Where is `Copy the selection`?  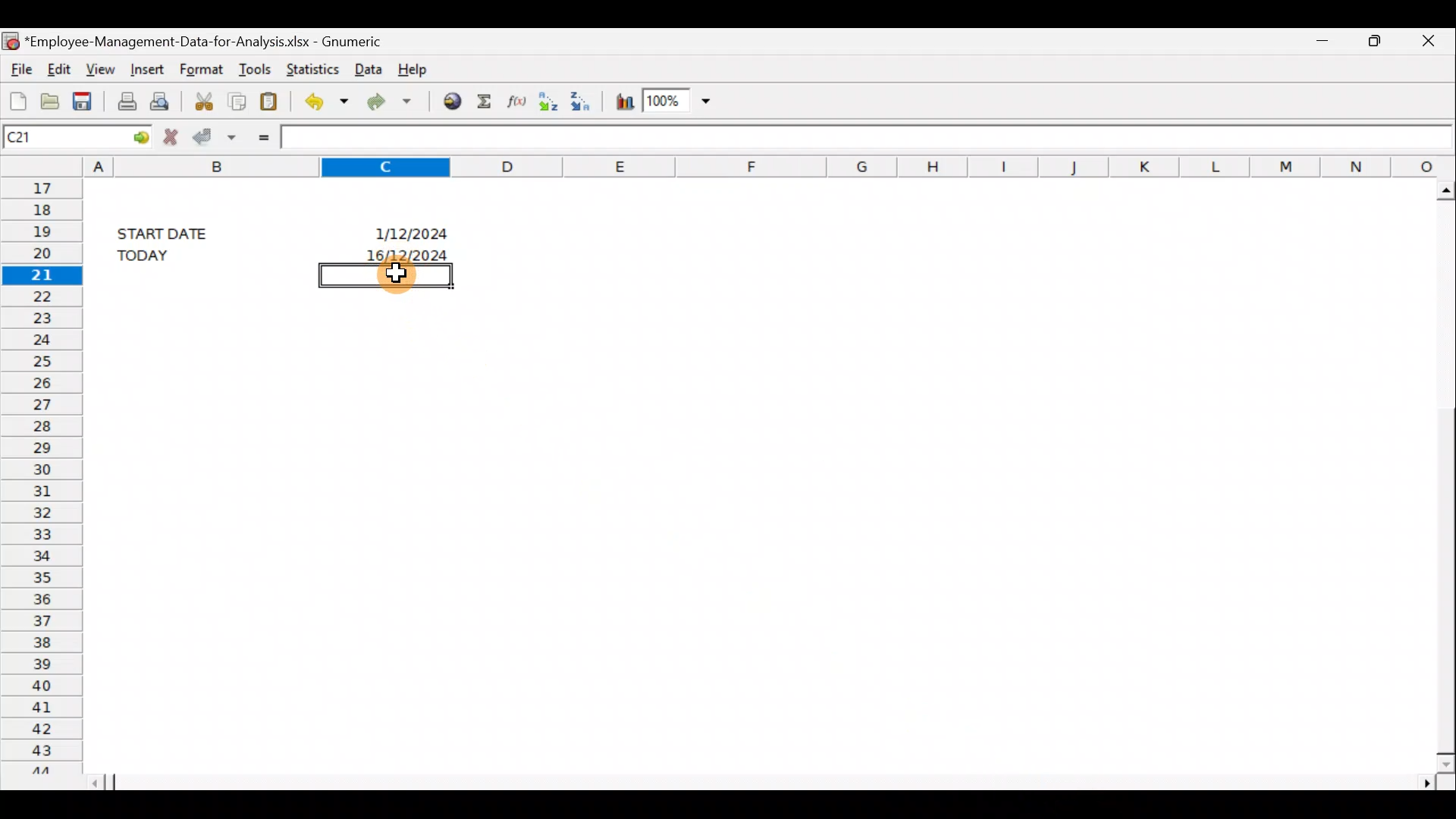
Copy the selection is located at coordinates (239, 99).